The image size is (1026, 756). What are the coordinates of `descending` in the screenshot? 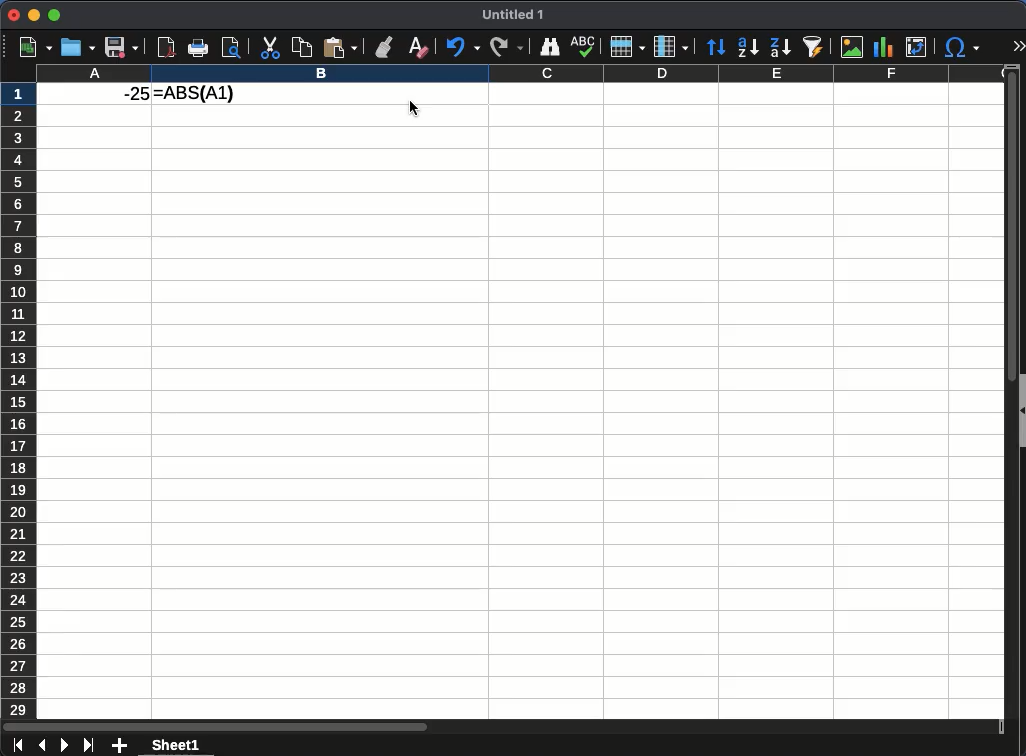 It's located at (782, 47).